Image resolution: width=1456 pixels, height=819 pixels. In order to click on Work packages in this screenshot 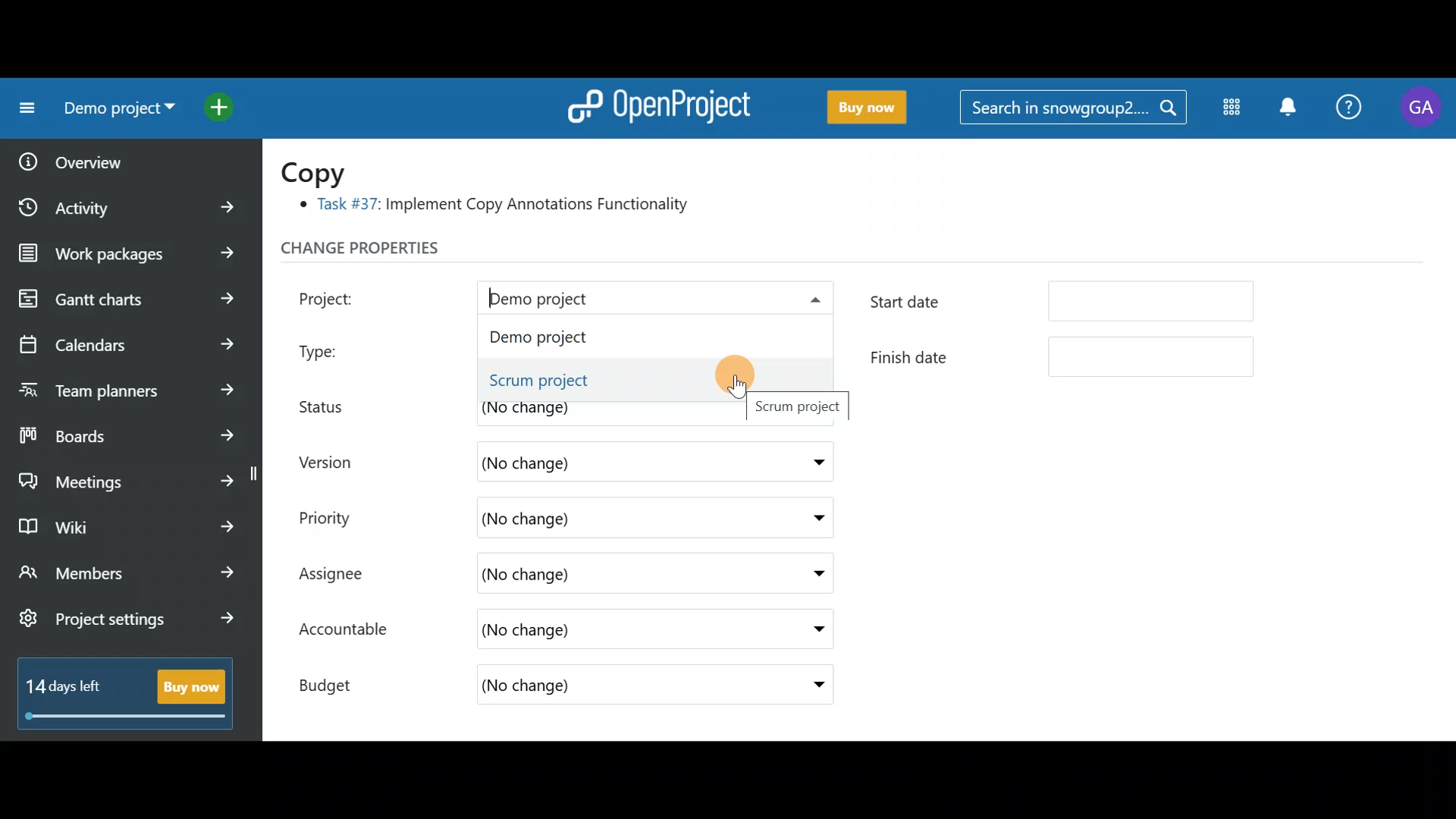, I will do `click(130, 253)`.